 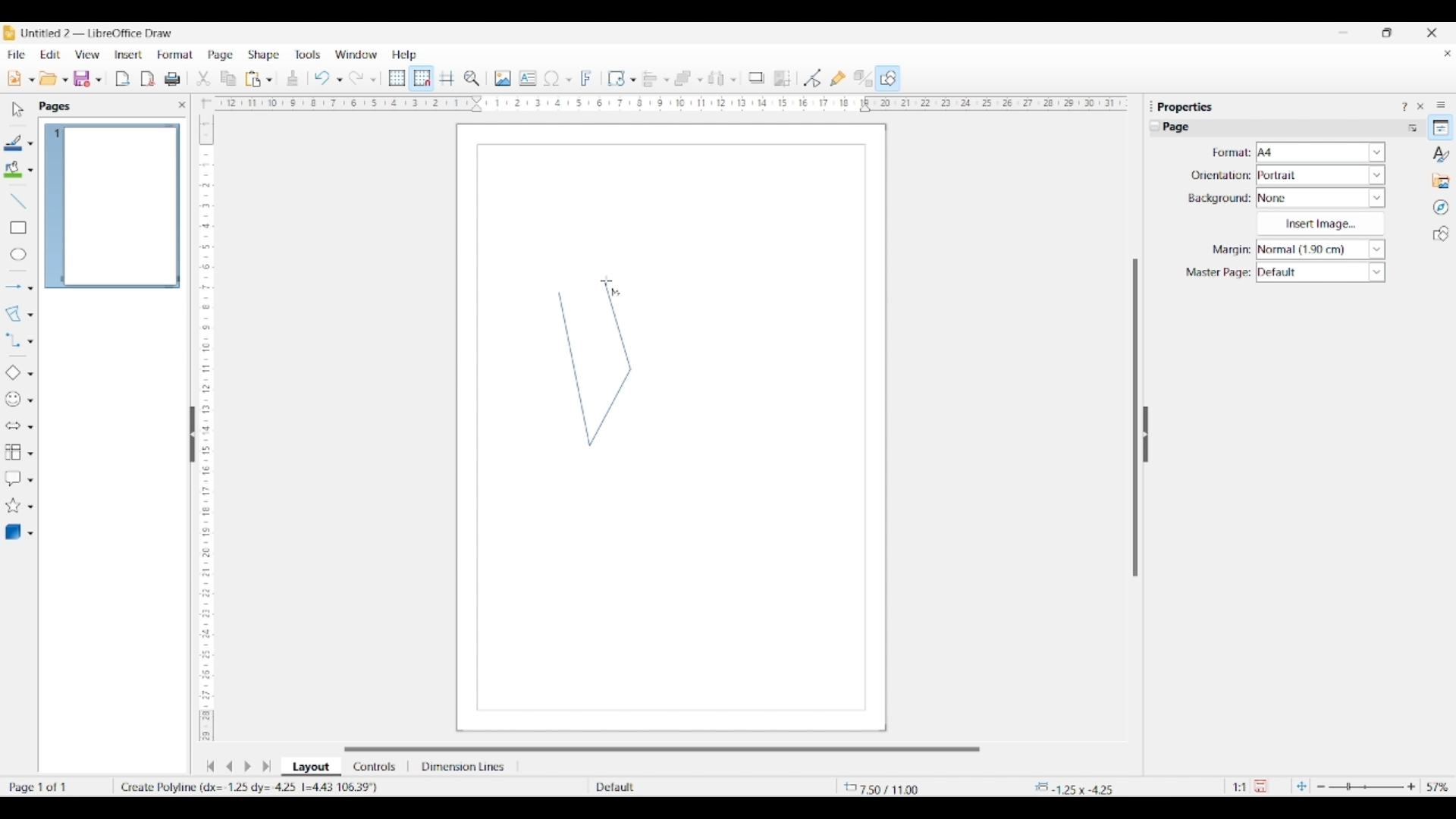 What do you see at coordinates (837, 78) in the screenshot?
I see `Show gluepoint options` at bounding box center [837, 78].